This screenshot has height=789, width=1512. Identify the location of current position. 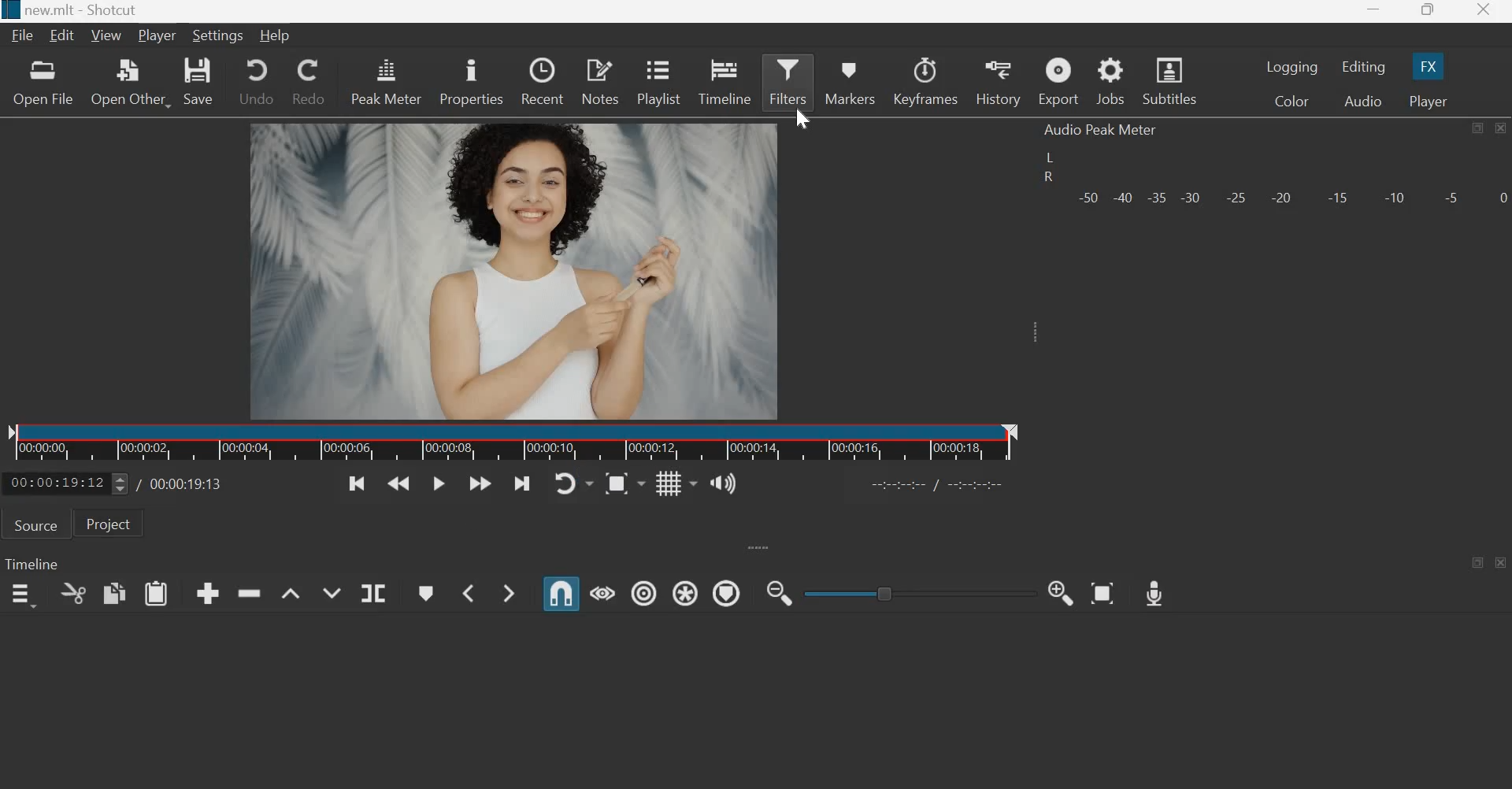
(66, 483).